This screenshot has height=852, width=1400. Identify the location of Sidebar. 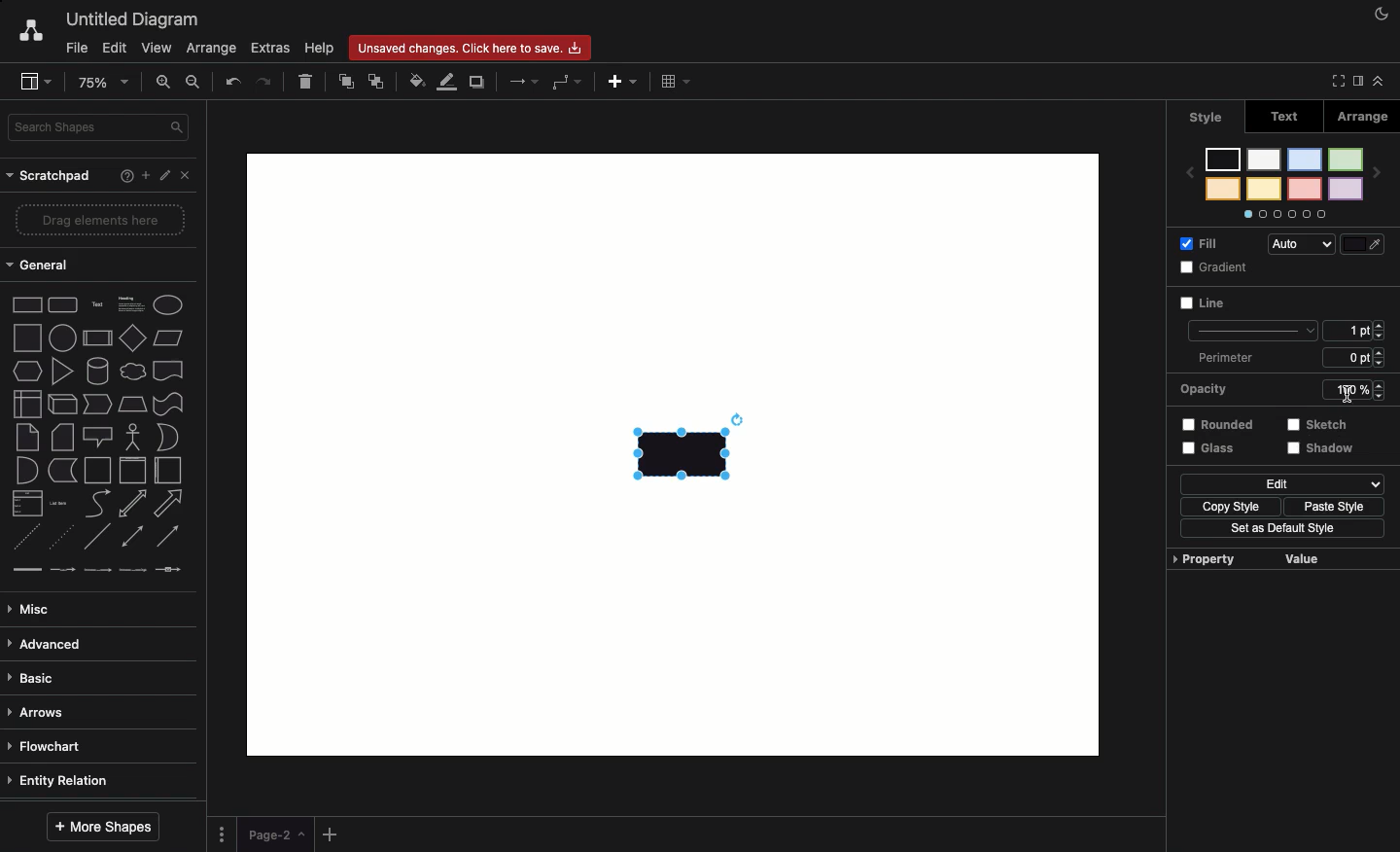
(1354, 83).